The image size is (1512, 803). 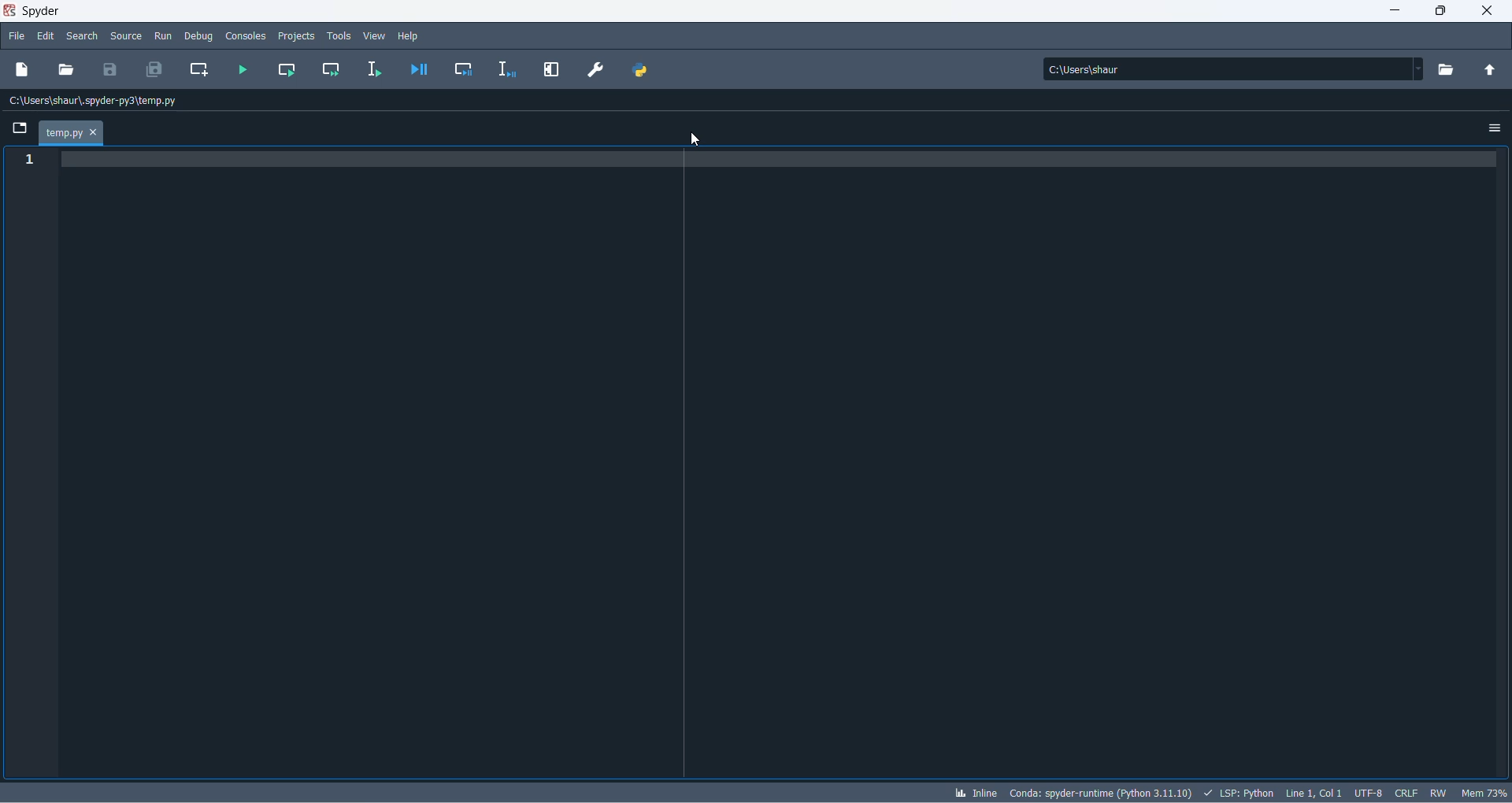 What do you see at coordinates (1099, 792) in the screenshot?
I see `spyder version` at bounding box center [1099, 792].